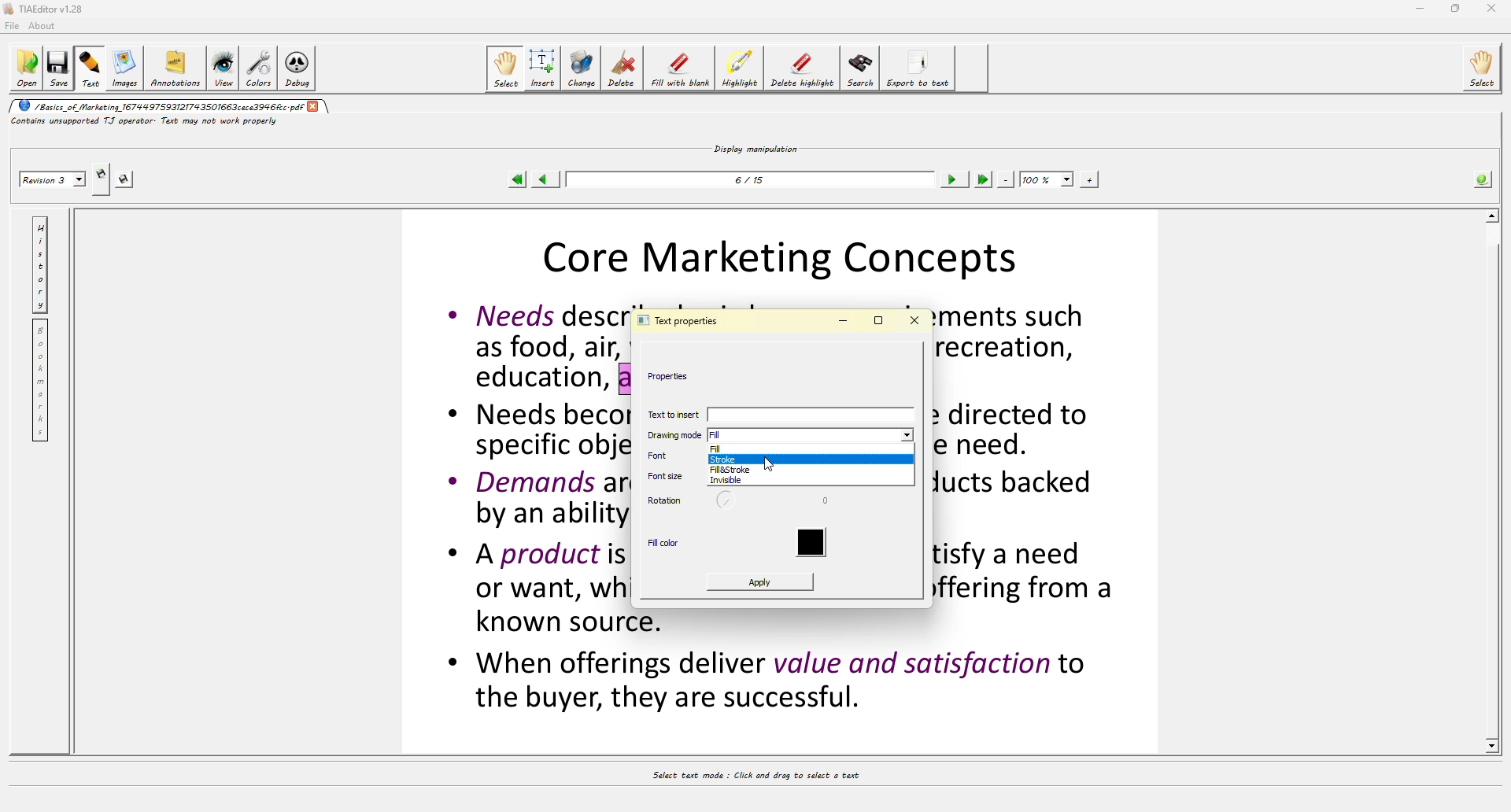  I want to click on images, so click(127, 69).